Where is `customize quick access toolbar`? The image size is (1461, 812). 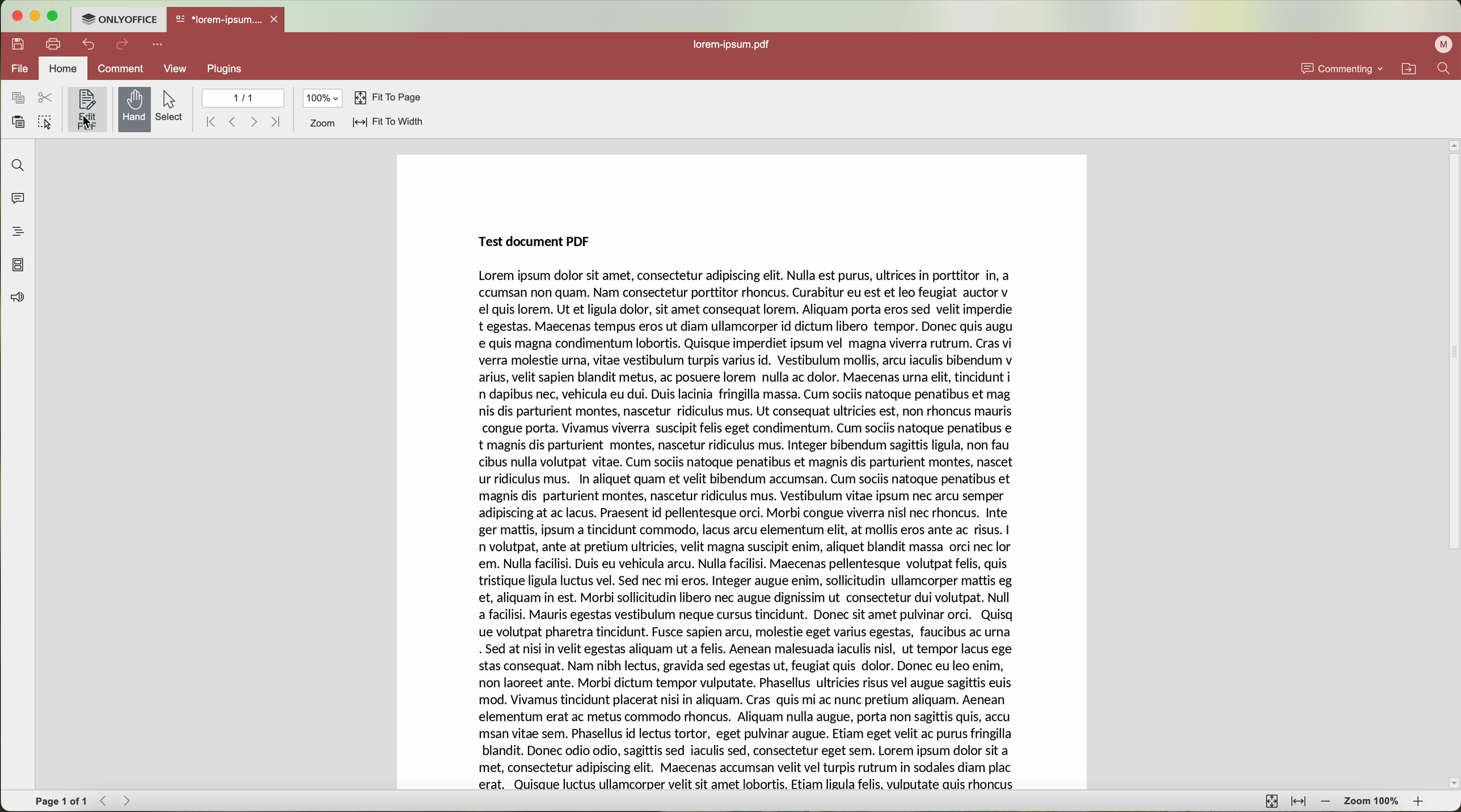 customize quick access toolbar is located at coordinates (160, 45).